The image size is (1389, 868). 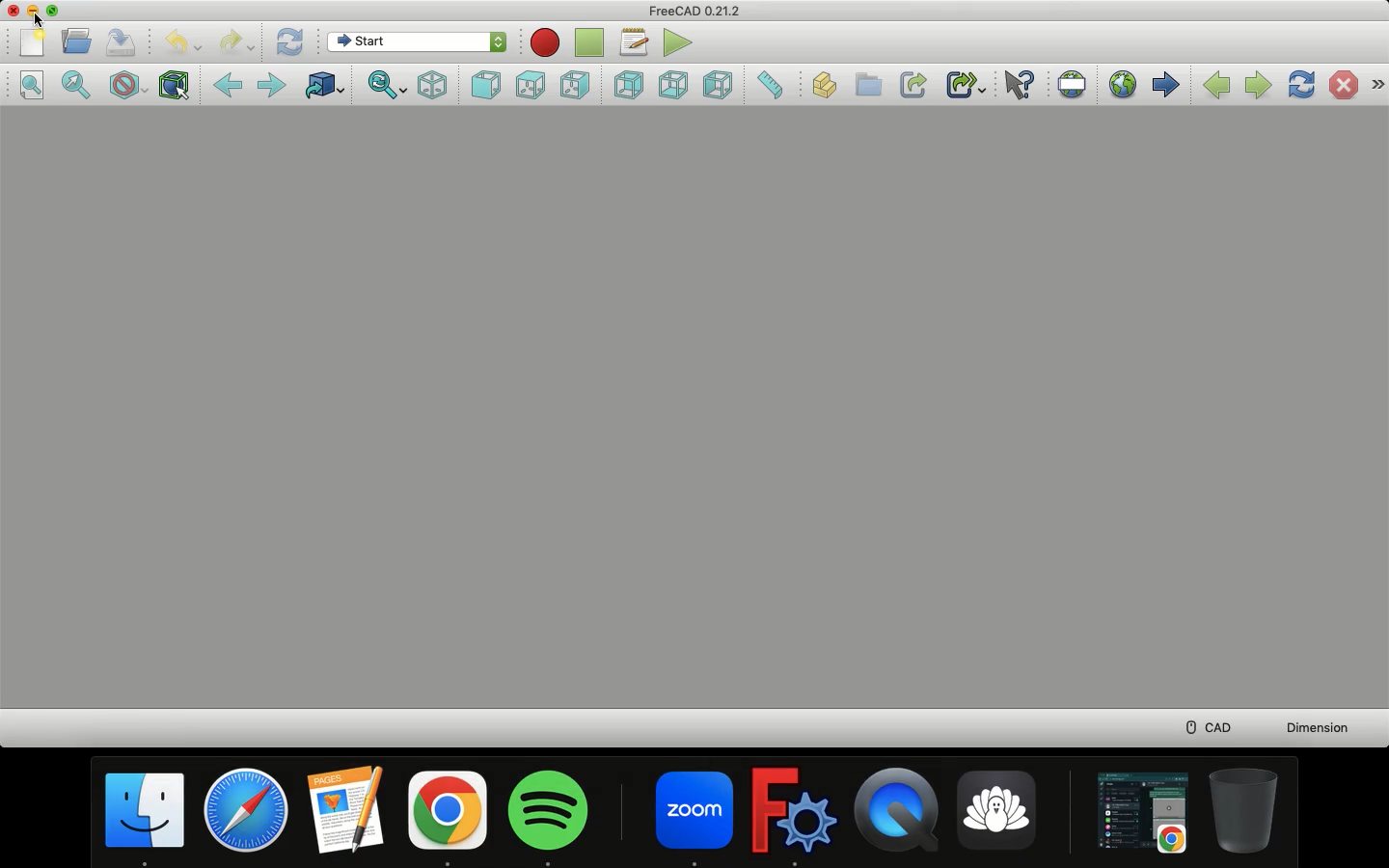 What do you see at coordinates (1375, 82) in the screenshot?
I see `Navigation` at bounding box center [1375, 82].